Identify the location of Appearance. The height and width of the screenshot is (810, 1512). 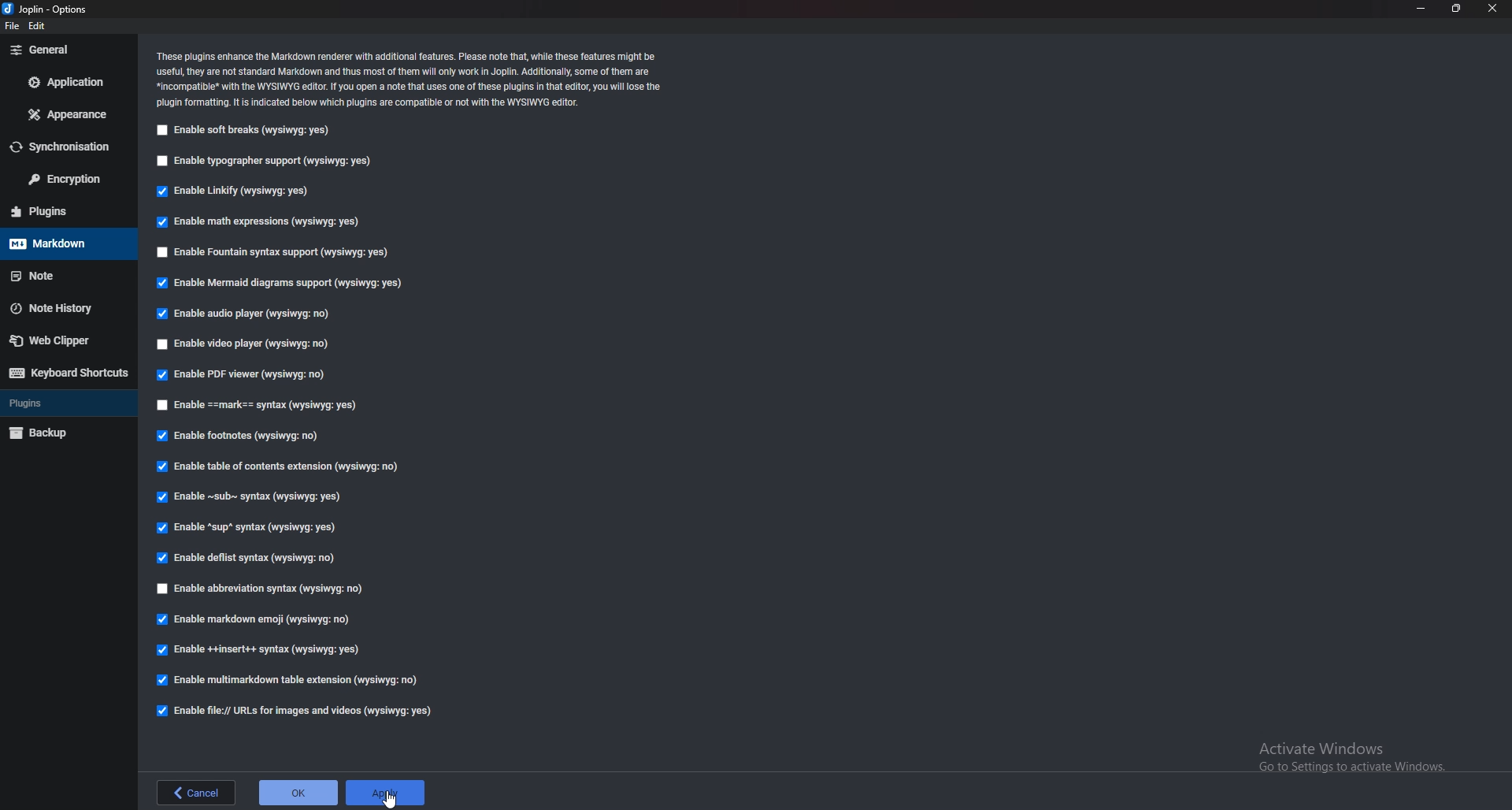
(67, 113).